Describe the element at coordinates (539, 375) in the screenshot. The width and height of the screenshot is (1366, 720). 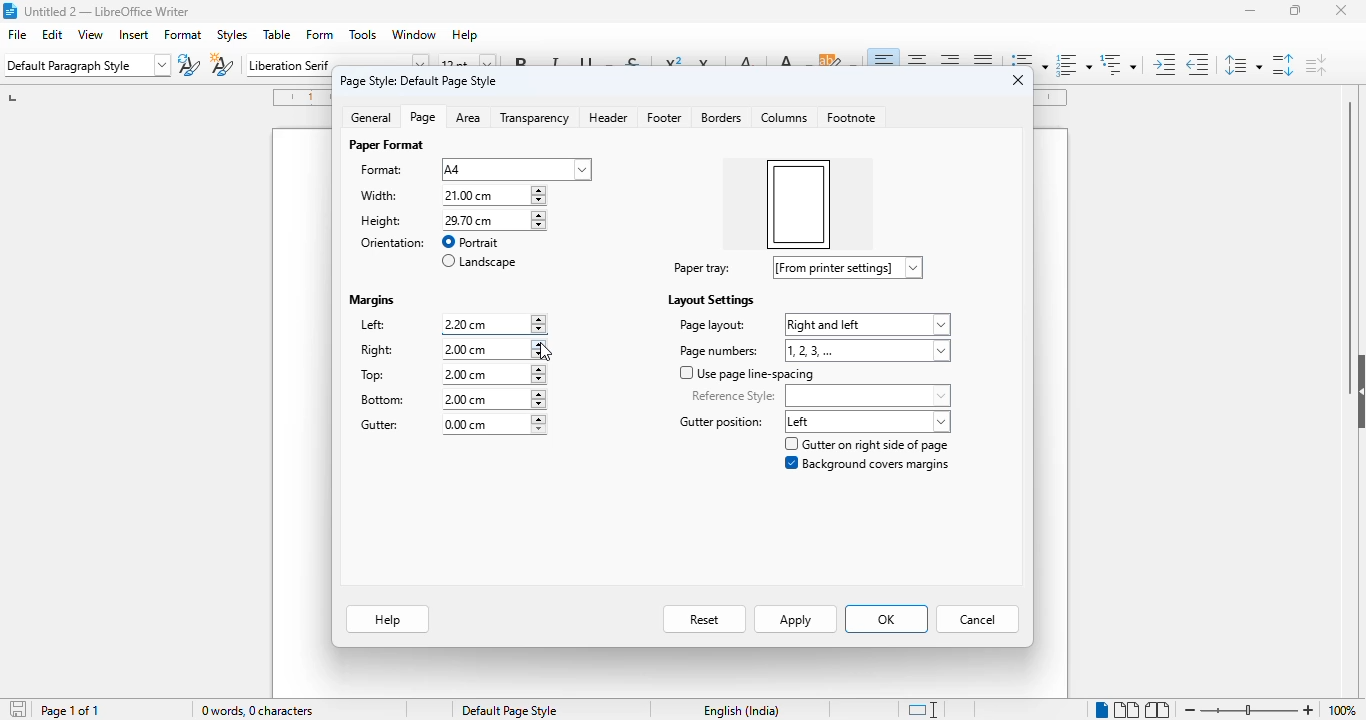
I see `increment or decrement ` at that location.